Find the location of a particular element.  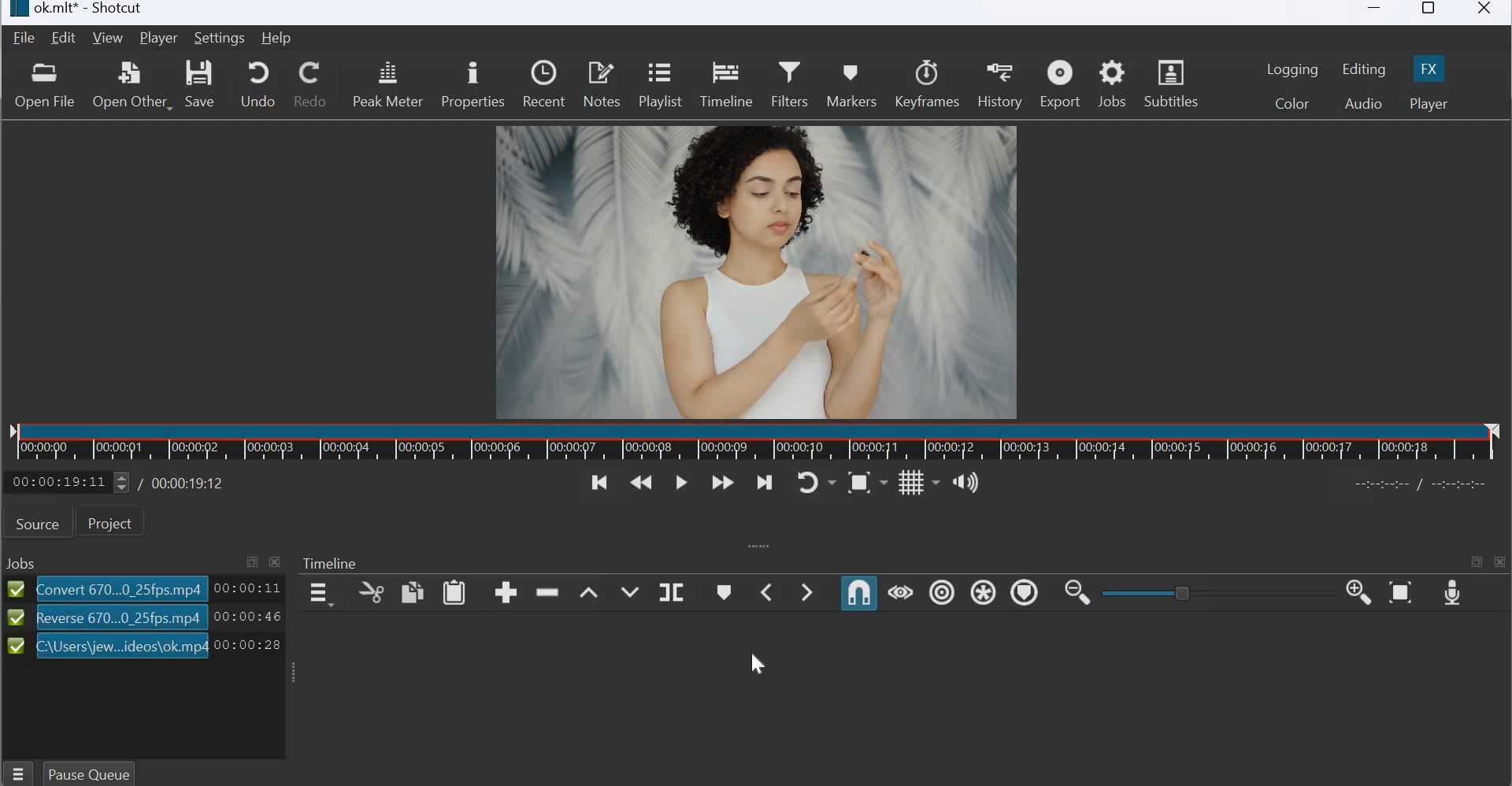

checkmark is located at coordinates (16, 621).